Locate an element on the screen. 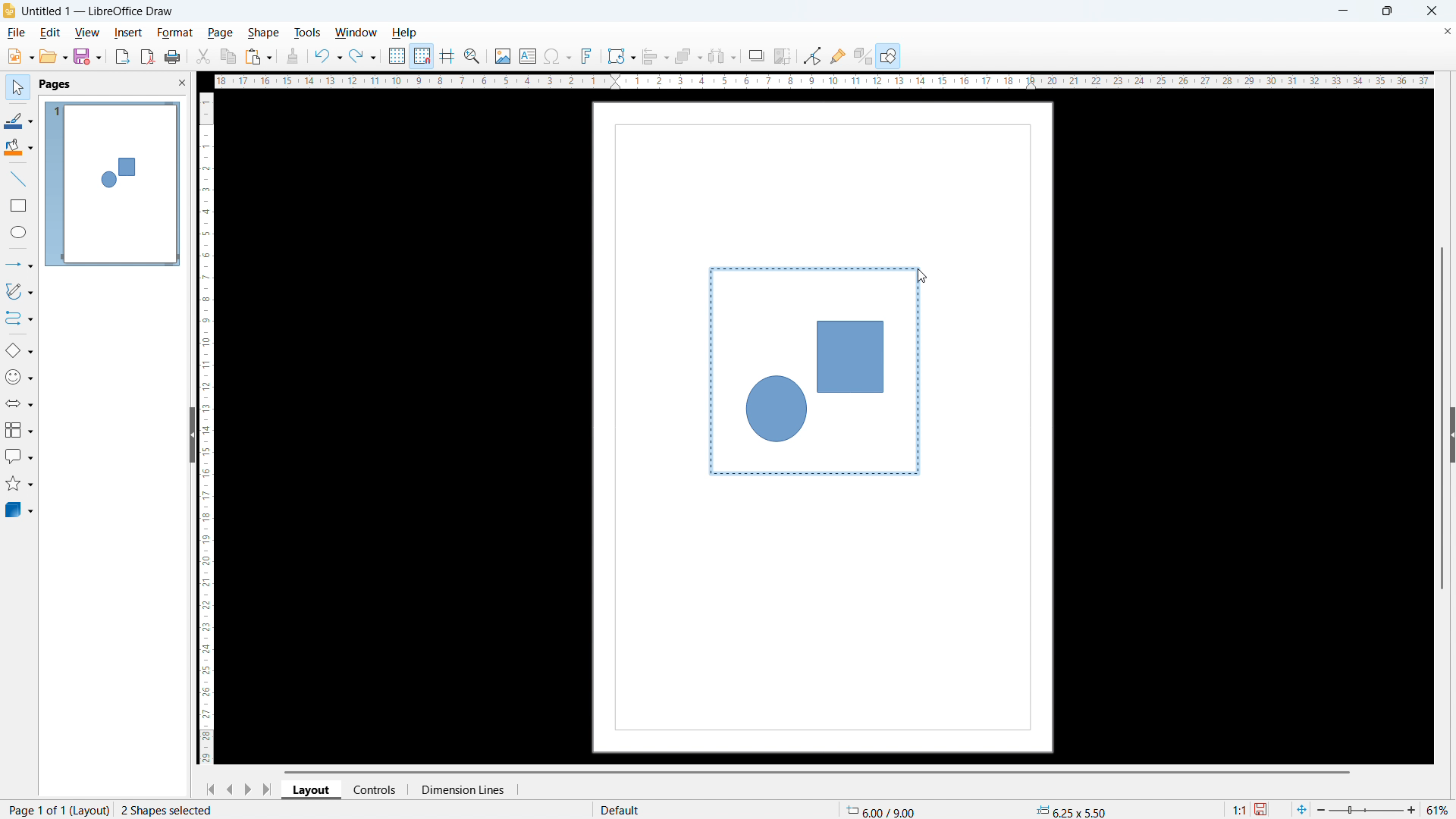 The height and width of the screenshot is (819, 1456). vertical ruler is located at coordinates (205, 428).